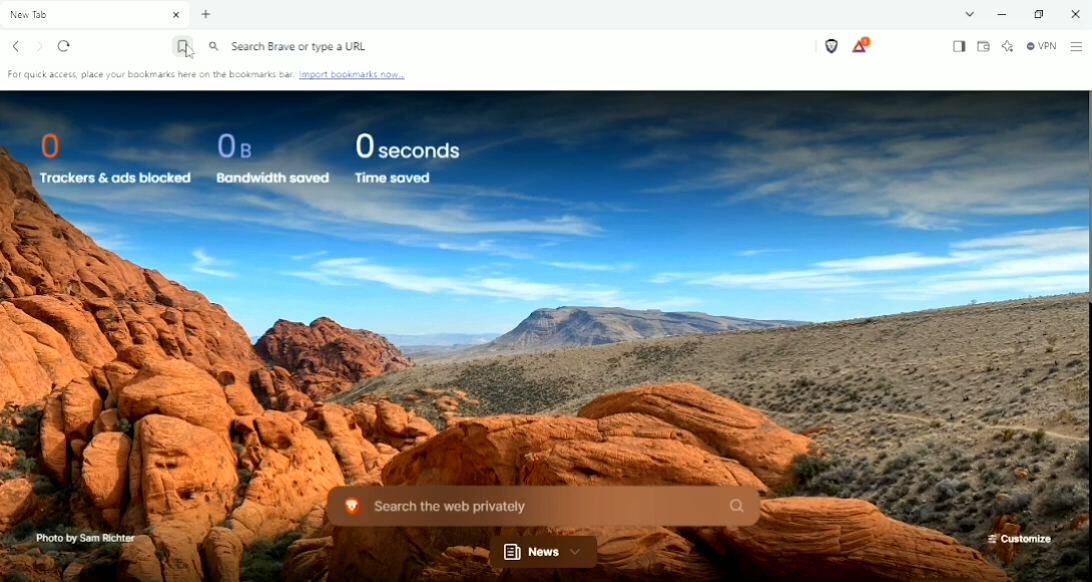 This screenshot has height=582, width=1092. Describe the element at coordinates (957, 46) in the screenshot. I see `Show Sidebar` at that location.